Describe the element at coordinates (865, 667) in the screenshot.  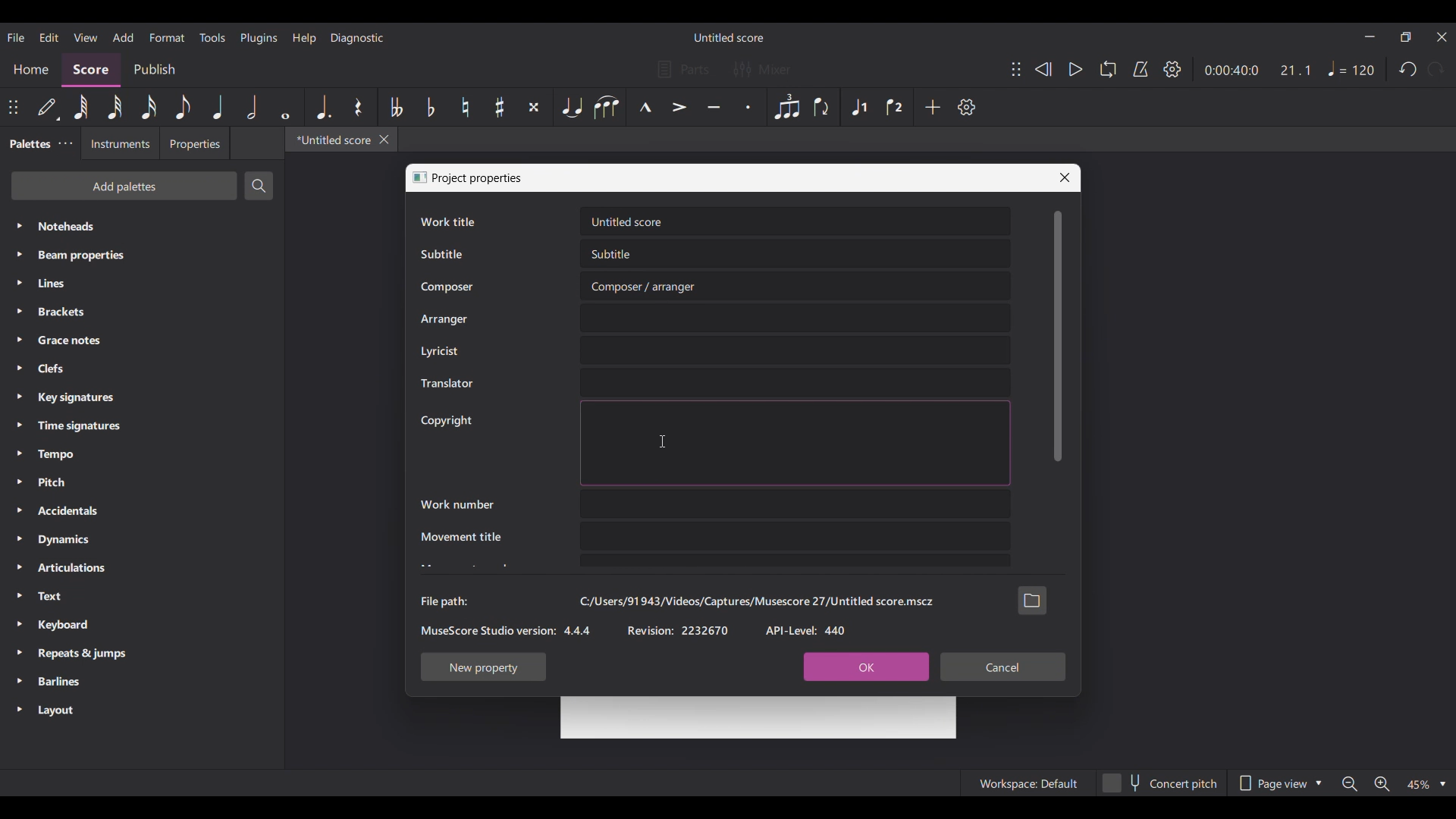
I see `OK` at that location.